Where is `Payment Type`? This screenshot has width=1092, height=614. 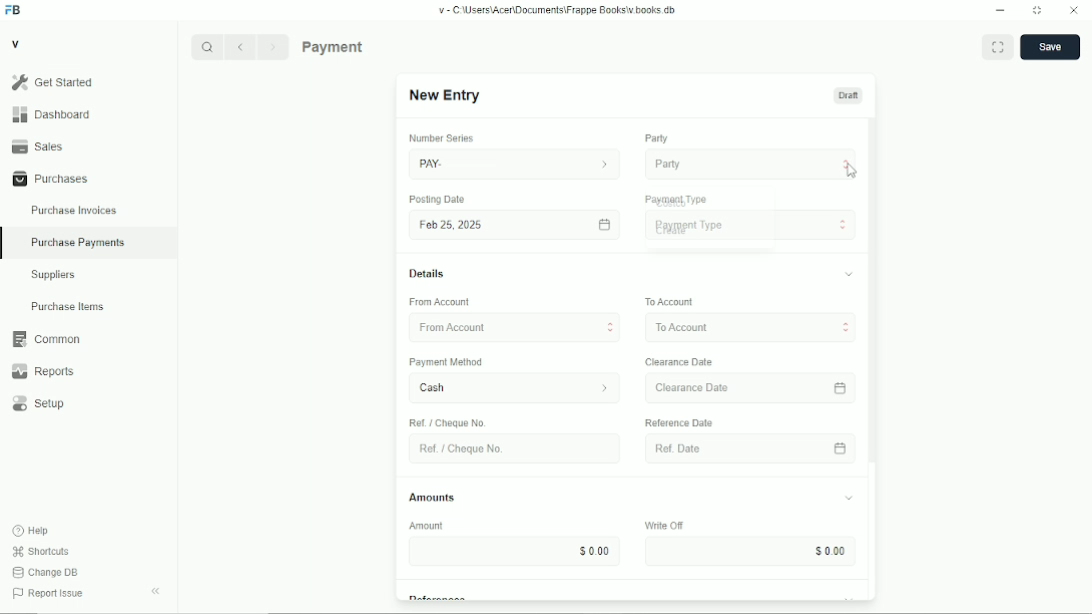 Payment Type is located at coordinates (676, 199).